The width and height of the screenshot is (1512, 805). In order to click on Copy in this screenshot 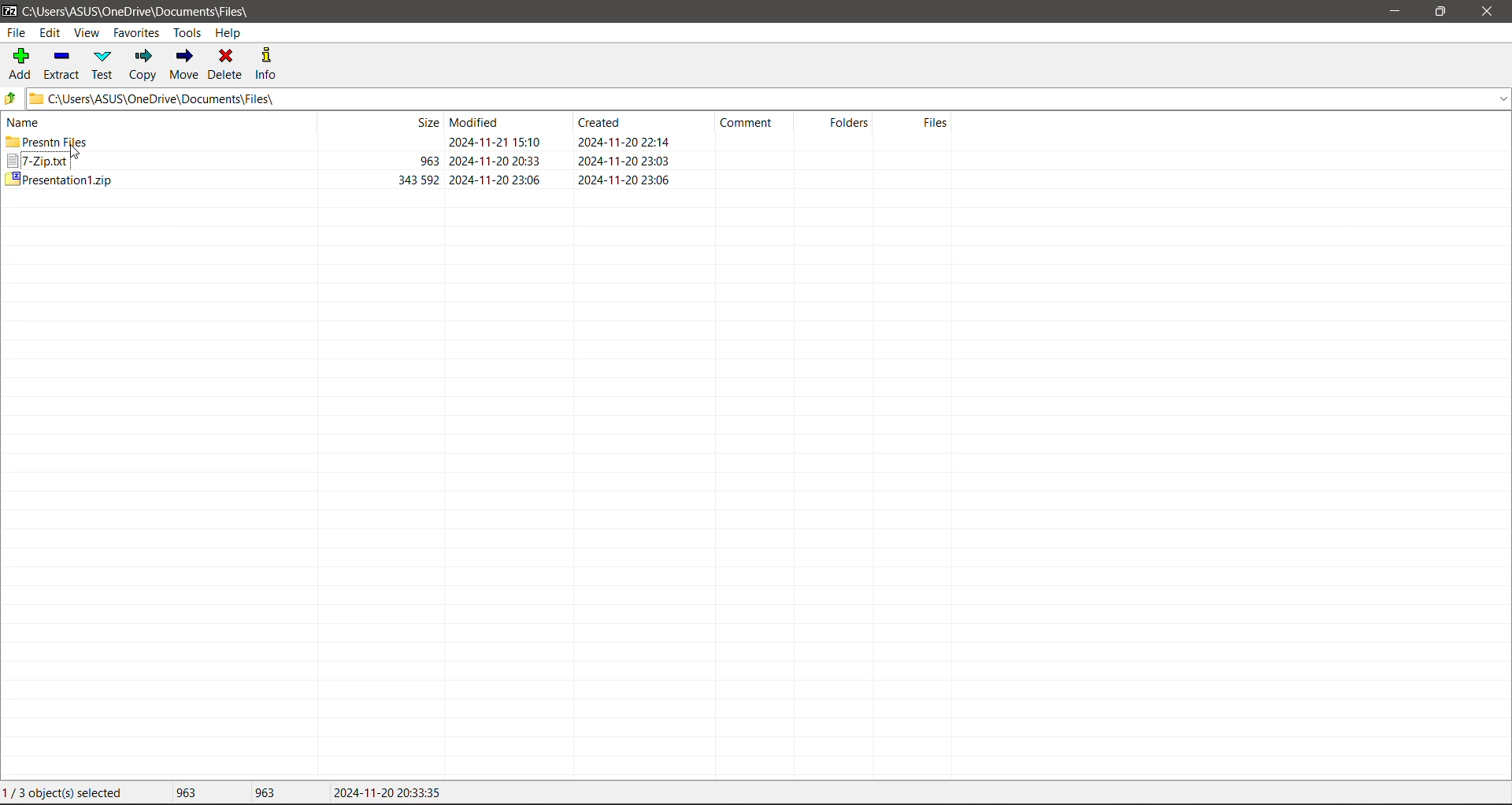, I will do `click(143, 64)`.